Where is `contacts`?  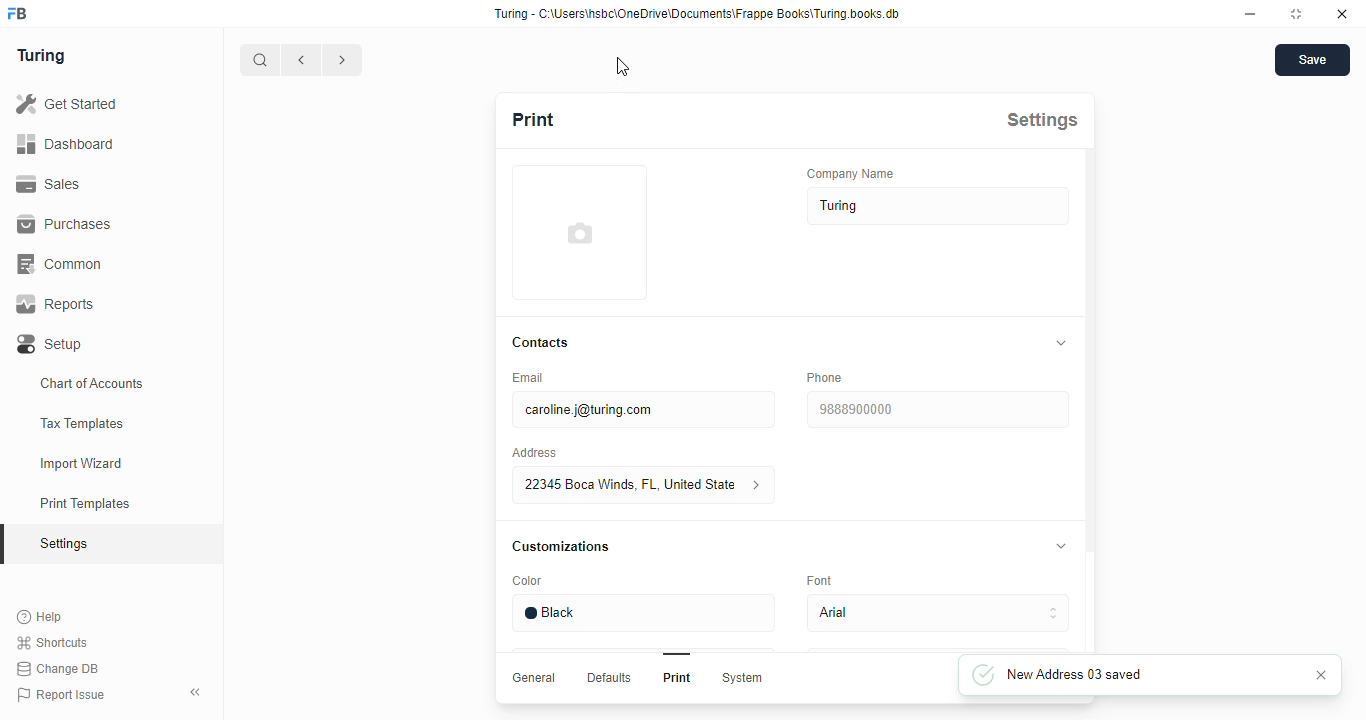
contacts is located at coordinates (542, 343).